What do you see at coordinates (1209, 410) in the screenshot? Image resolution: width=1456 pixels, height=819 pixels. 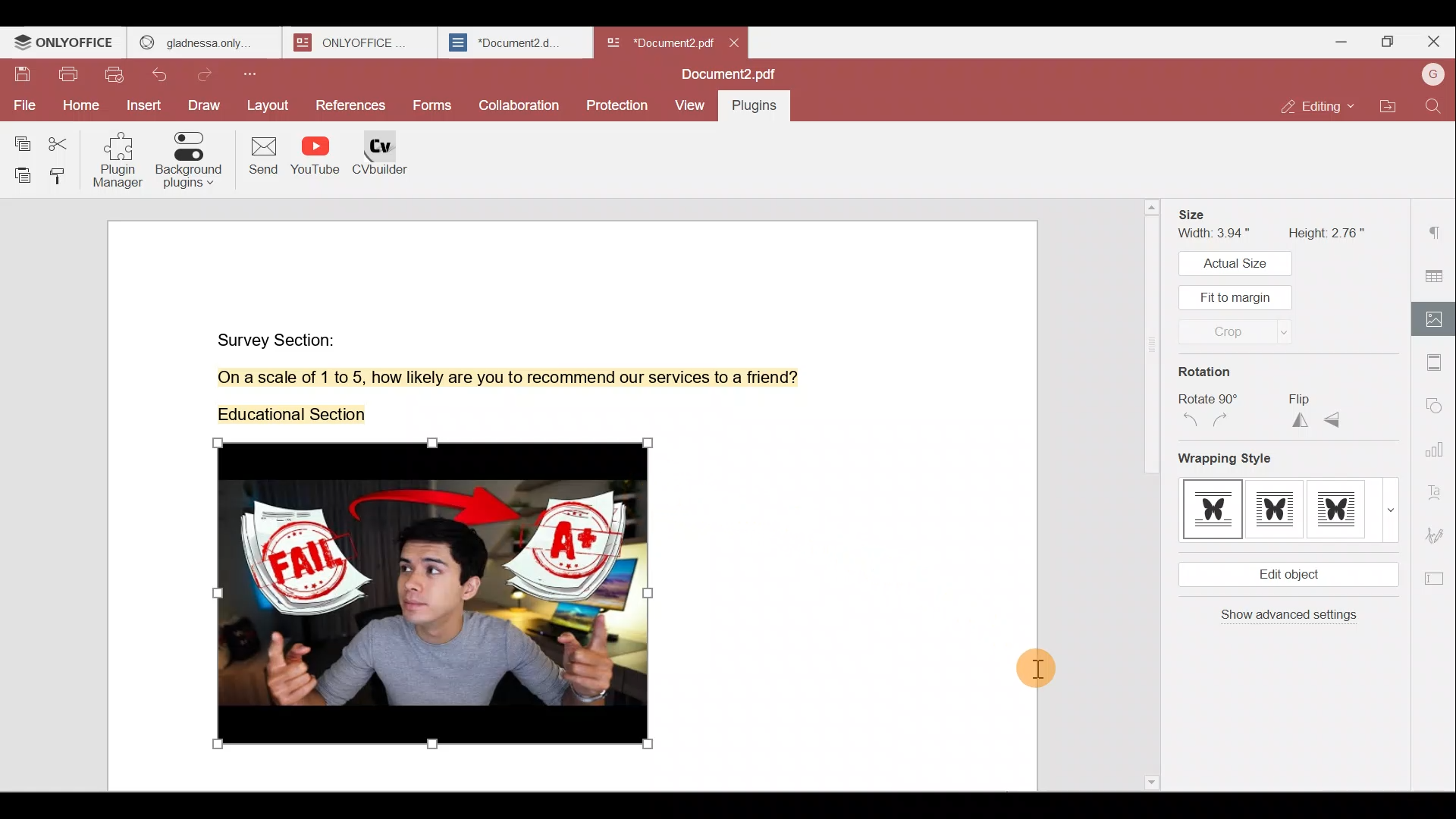 I see `Rotate 90` at bounding box center [1209, 410].